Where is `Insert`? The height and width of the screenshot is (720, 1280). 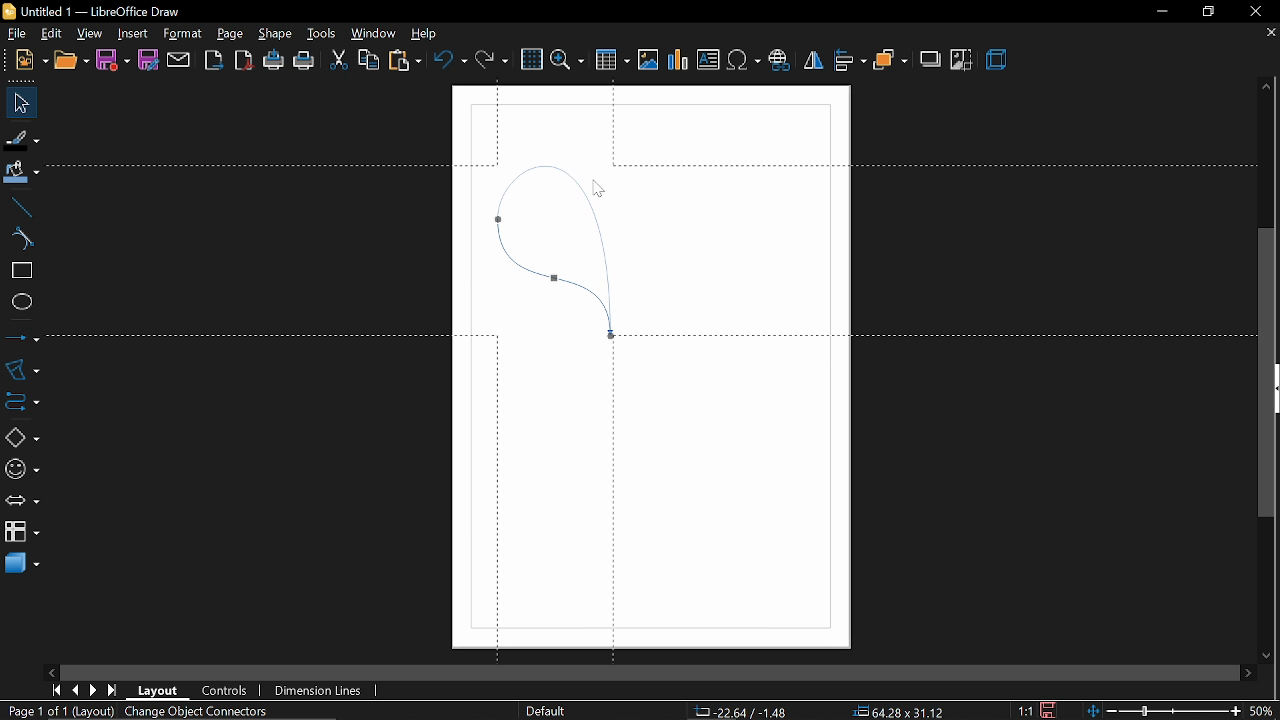
Insert is located at coordinates (131, 32).